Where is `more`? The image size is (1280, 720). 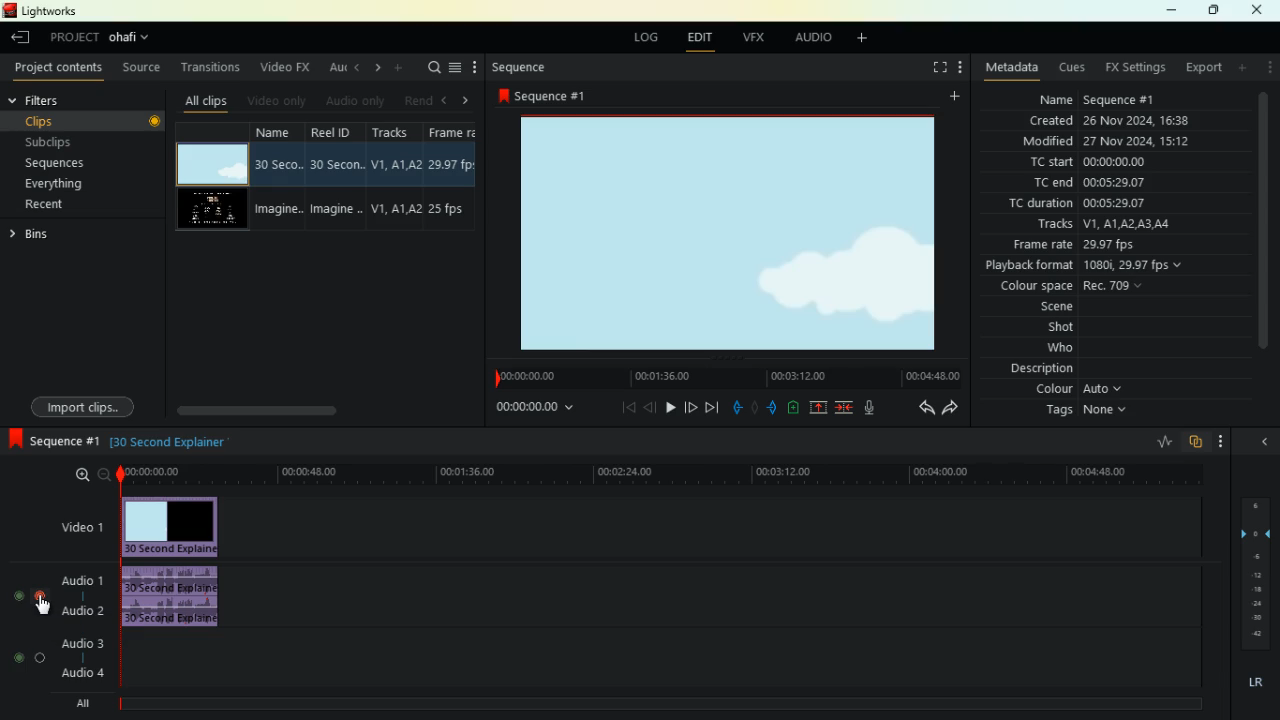 more is located at coordinates (957, 67).